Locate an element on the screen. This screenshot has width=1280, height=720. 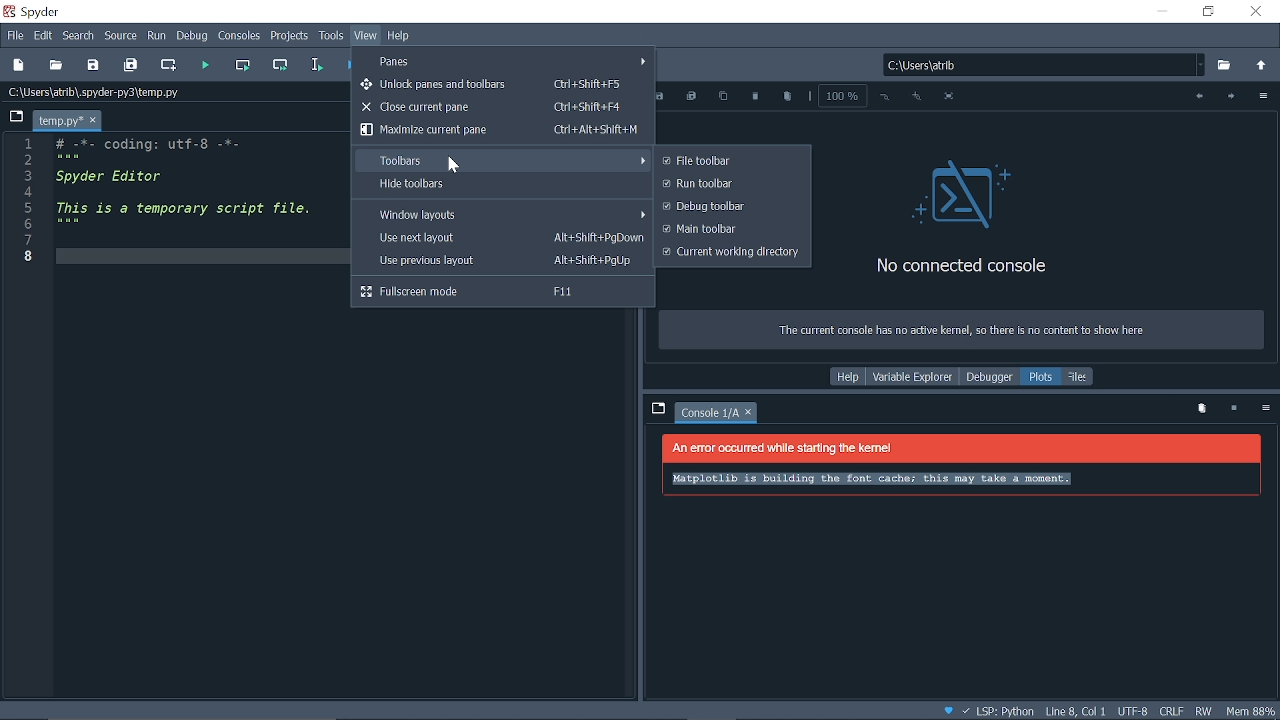
Zoom out is located at coordinates (886, 97).